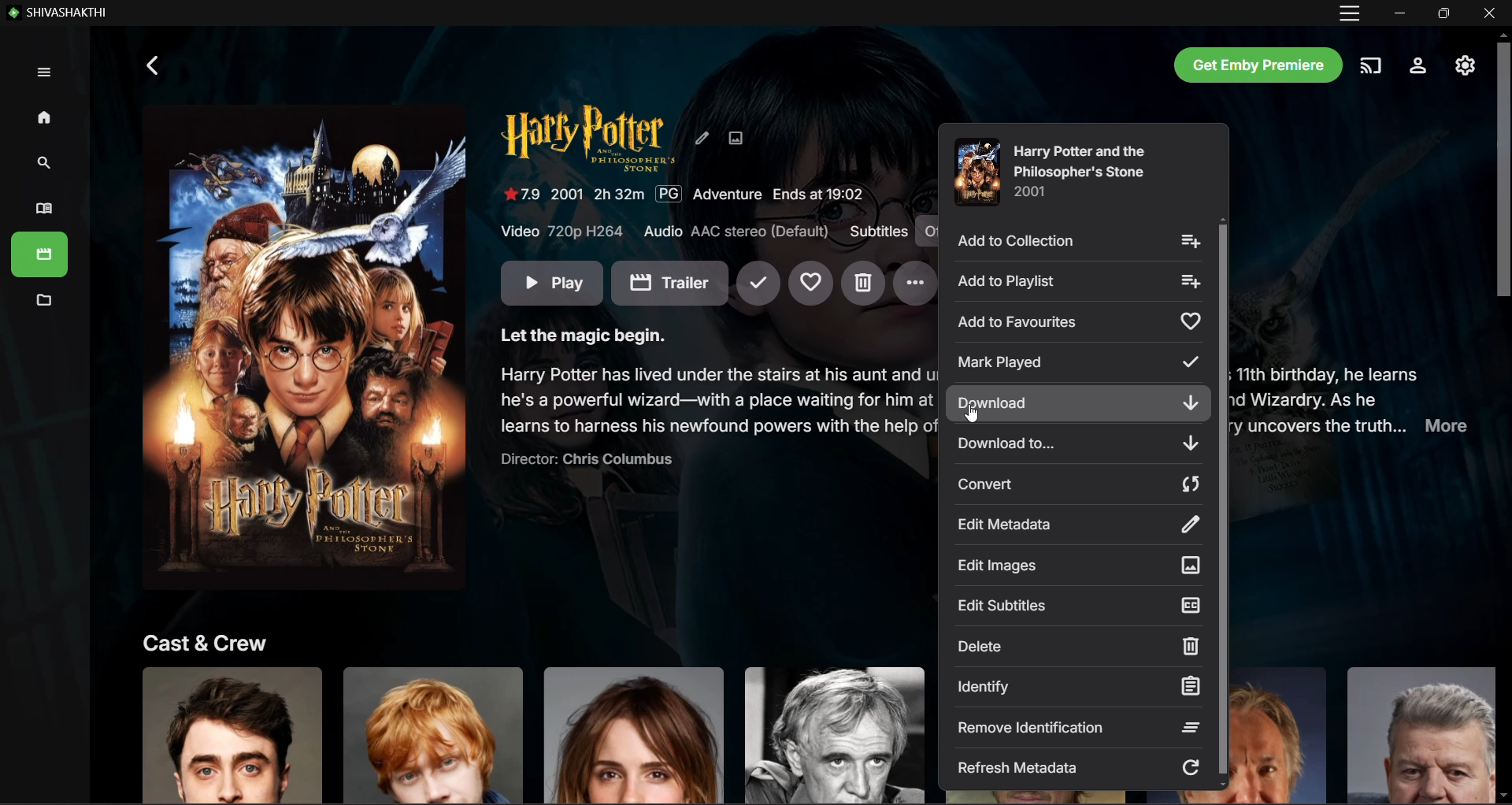 This screenshot has height=805, width=1512. What do you see at coordinates (876, 231) in the screenshot?
I see `Subtitles` at bounding box center [876, 231].